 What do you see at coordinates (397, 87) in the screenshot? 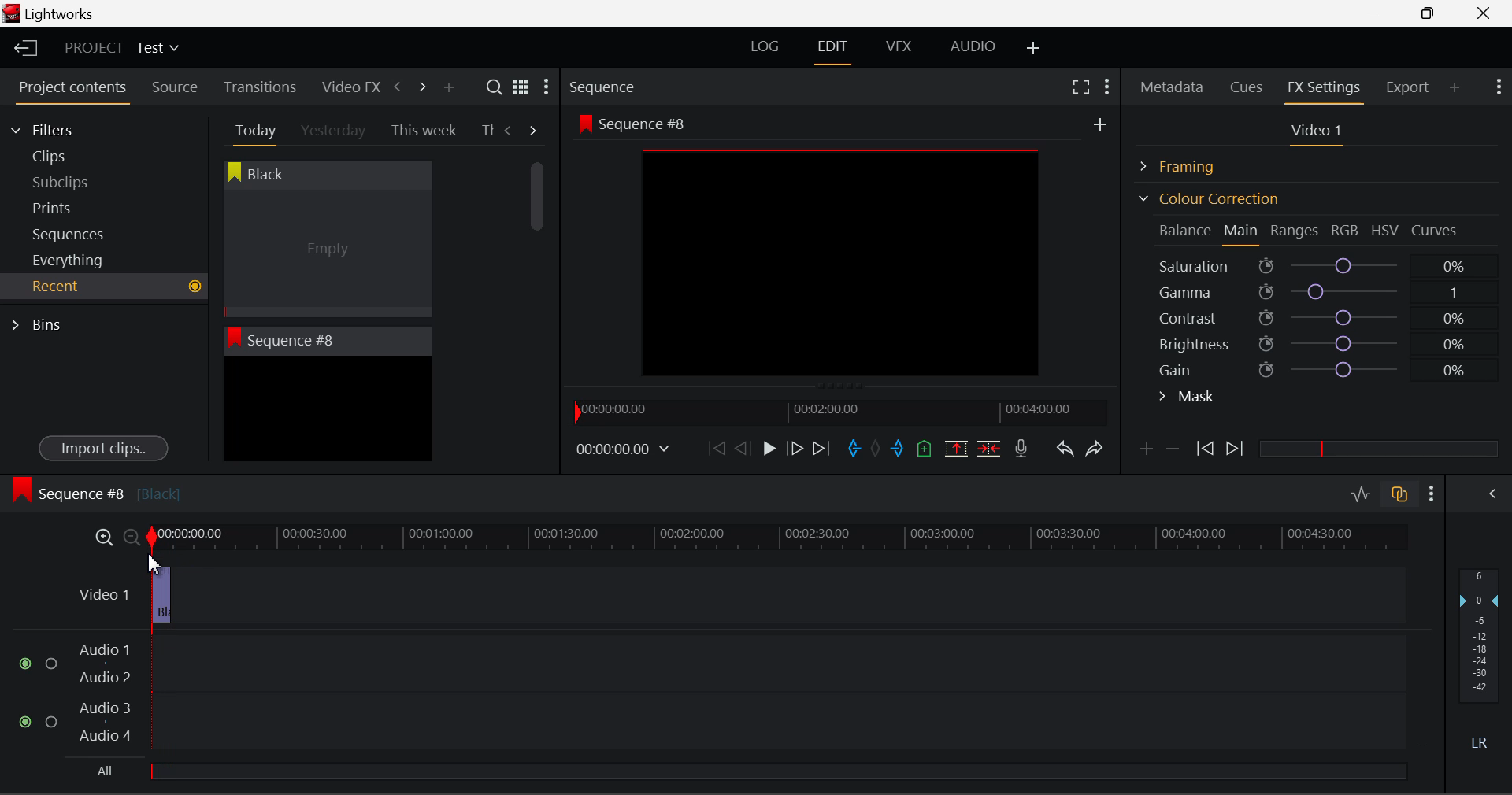
I see `Previous Panel` at bounding box center [397, 87].